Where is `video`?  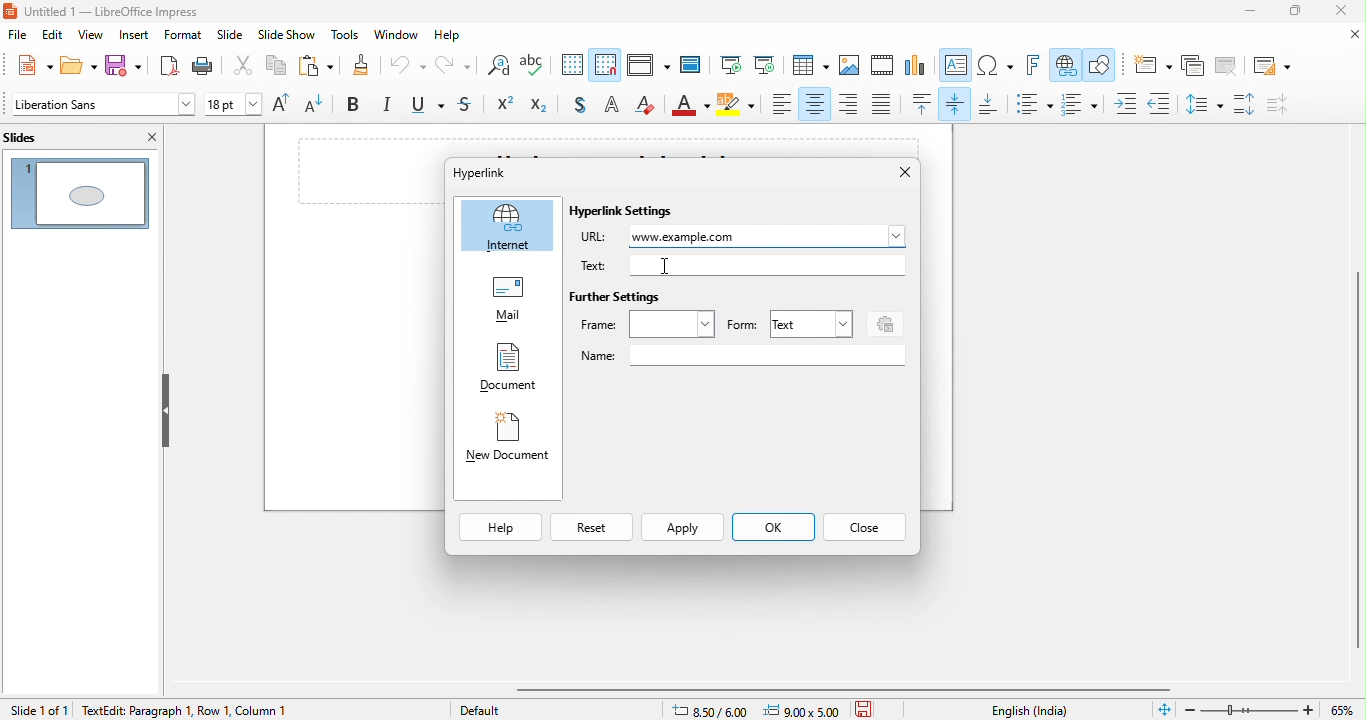 video is located at coordinates (883, 67).